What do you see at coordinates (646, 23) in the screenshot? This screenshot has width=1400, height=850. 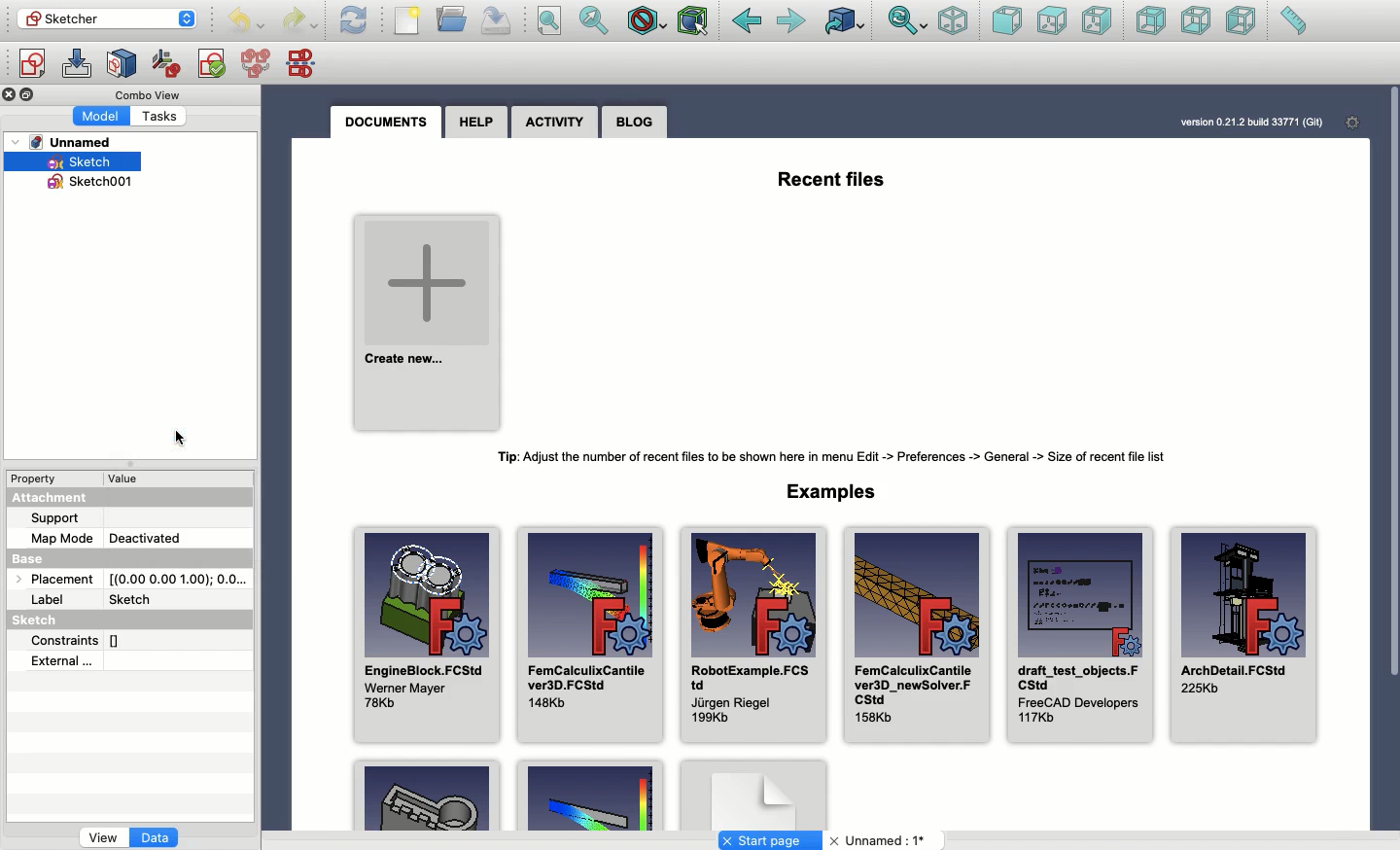 I see `Draw style` at bounding box center [646, 23].